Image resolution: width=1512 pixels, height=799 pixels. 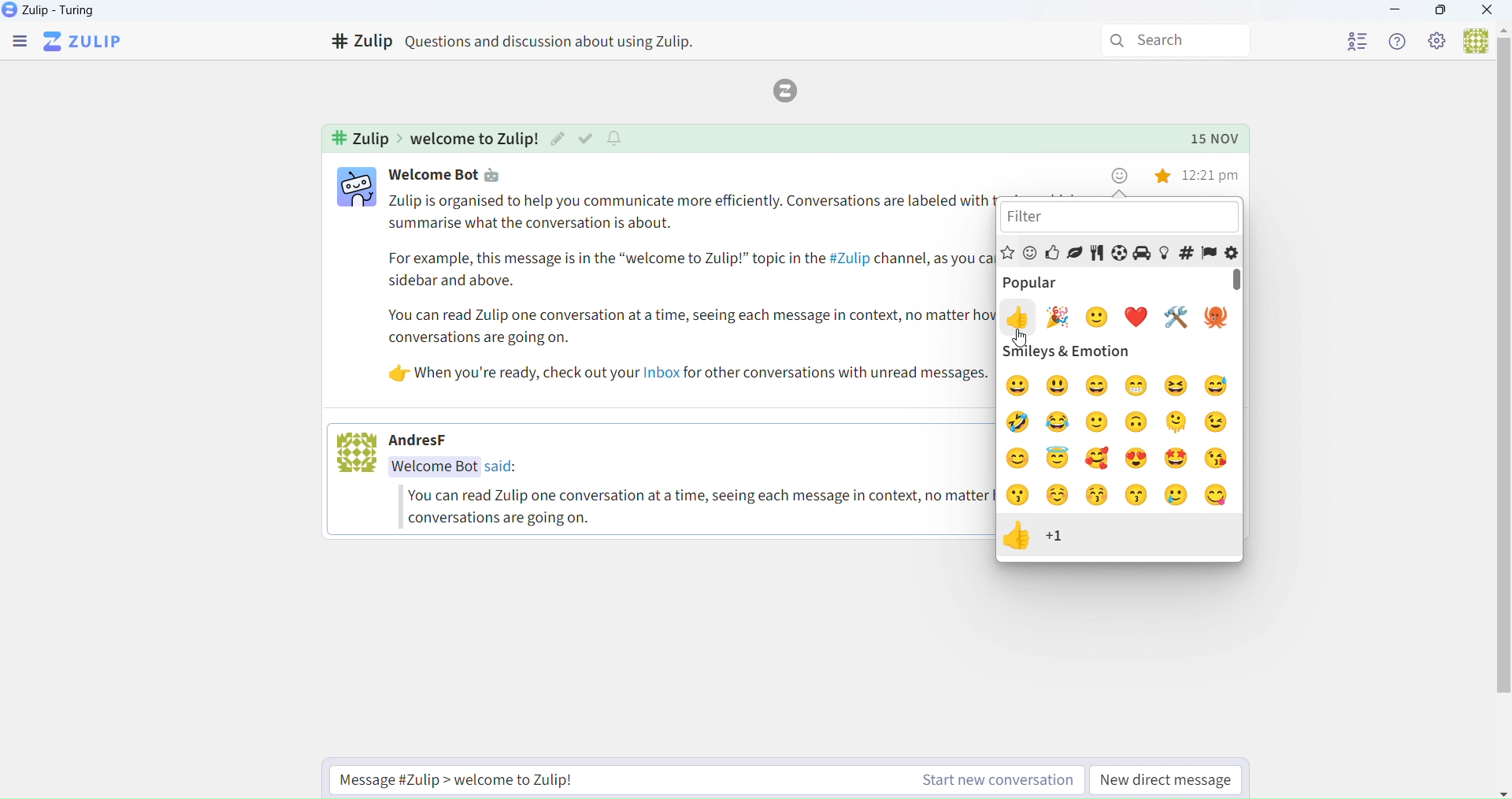 I want to click on big smile, so click(x=1059, y=388).